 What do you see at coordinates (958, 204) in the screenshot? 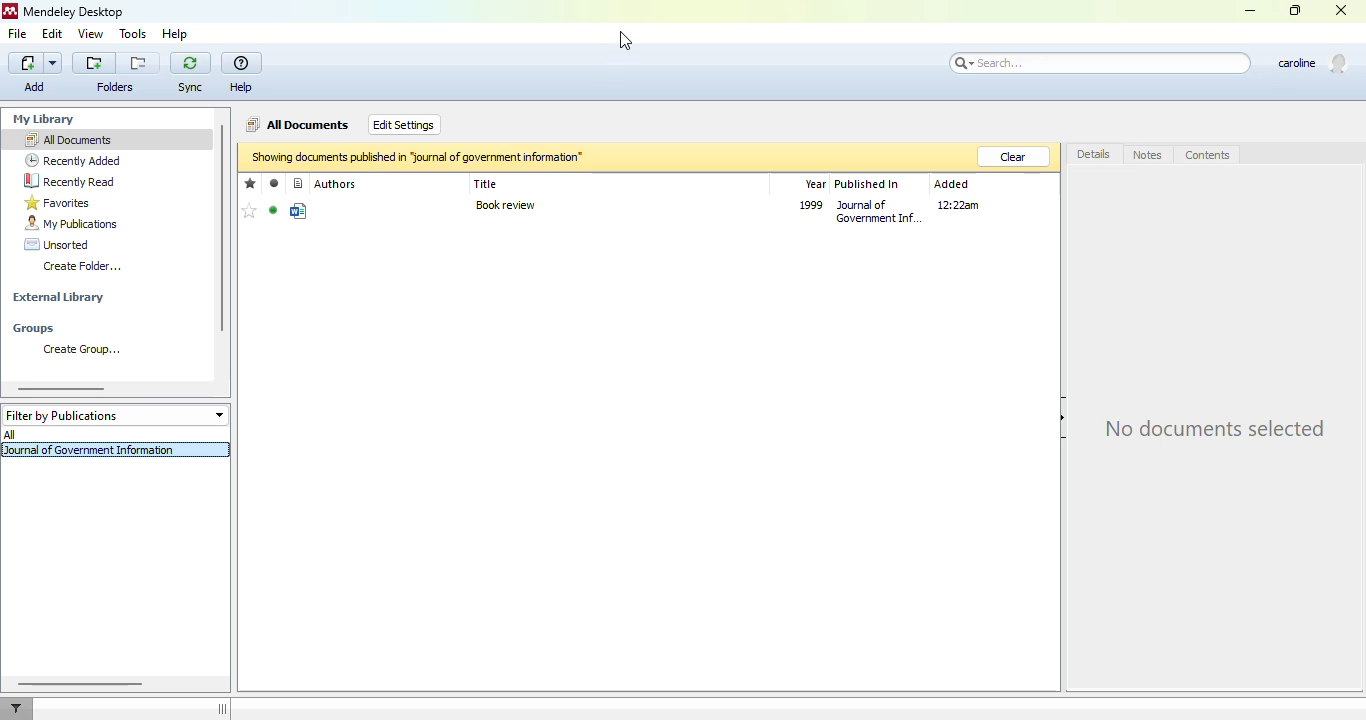
I see `12:22am` at bounding box center [958, 204].